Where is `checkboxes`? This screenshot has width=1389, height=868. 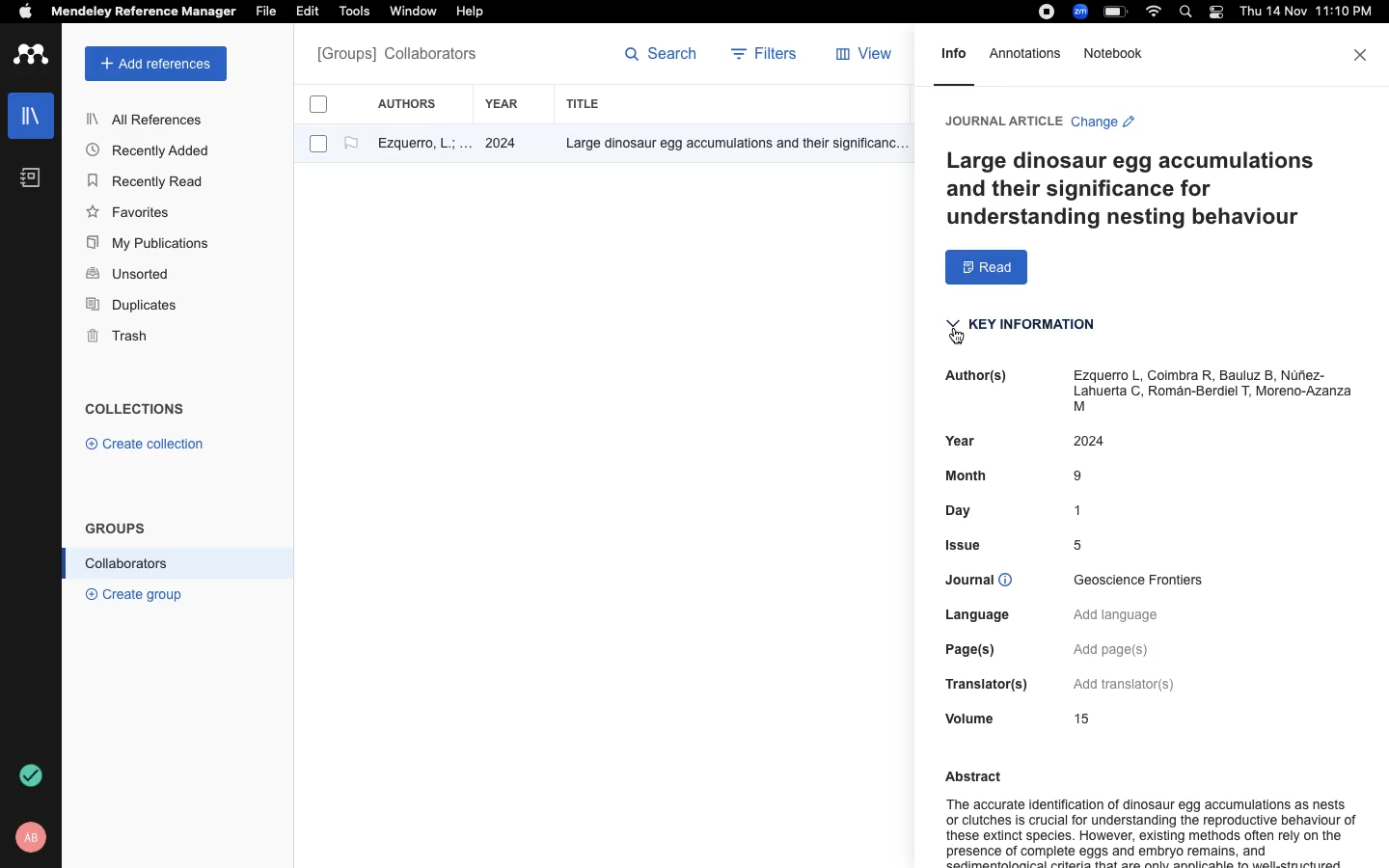
checkboxes is located at coordinates (311, 127).